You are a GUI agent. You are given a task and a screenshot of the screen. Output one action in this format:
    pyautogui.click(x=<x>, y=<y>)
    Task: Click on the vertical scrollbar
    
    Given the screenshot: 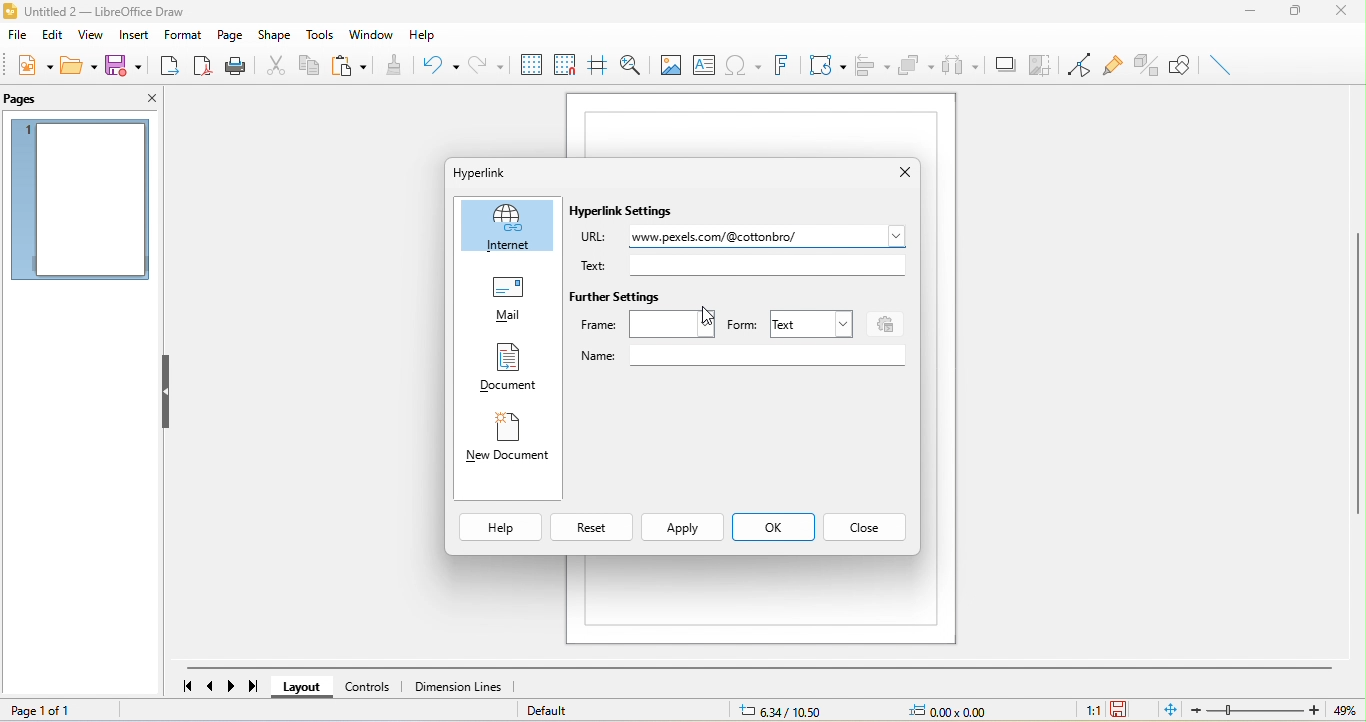 What is the action you would take?
    pyautogui.click(x=1357, y=387)
    